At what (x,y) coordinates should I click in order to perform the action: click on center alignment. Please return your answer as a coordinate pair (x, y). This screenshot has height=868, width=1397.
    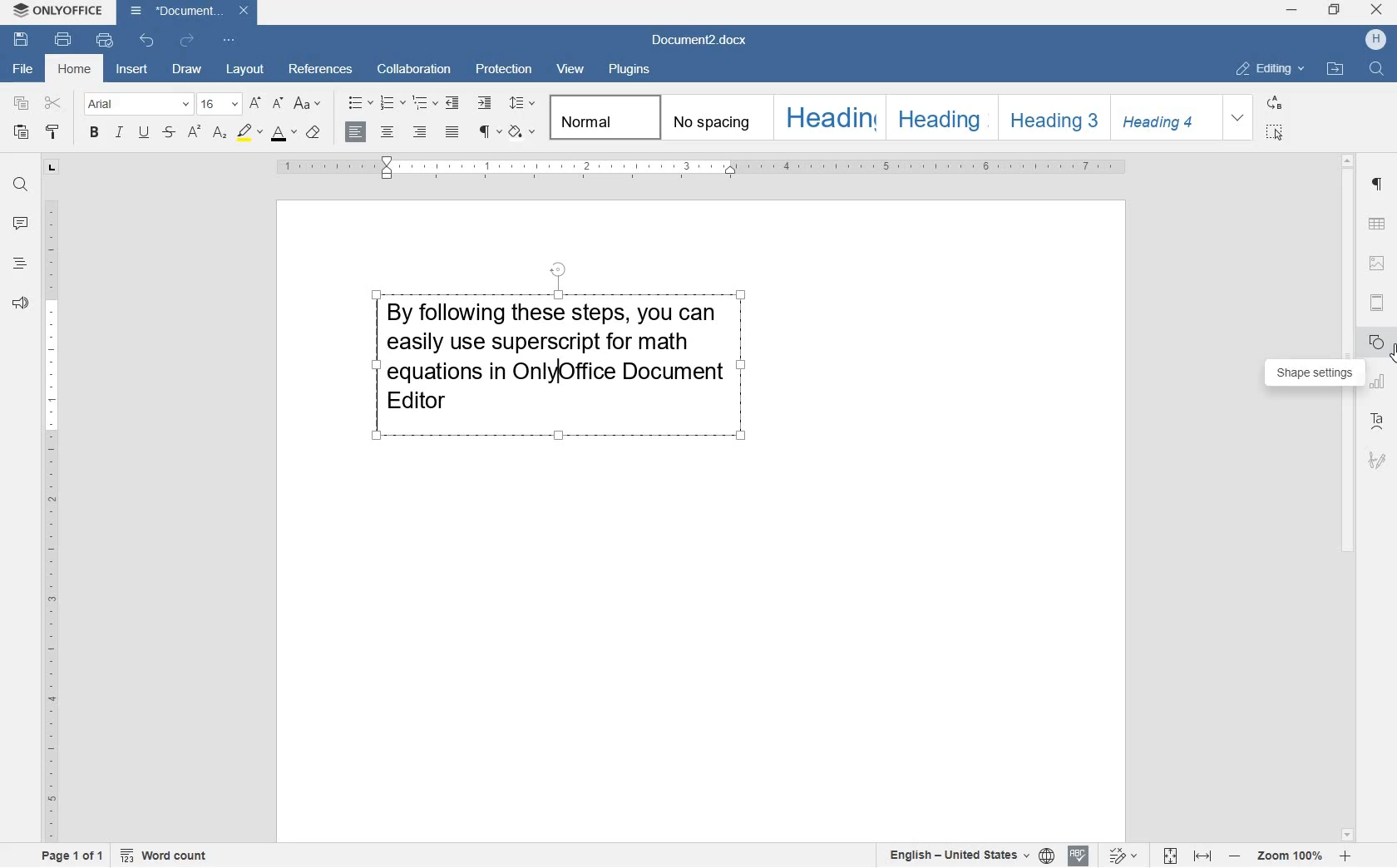
    Looking at the image, I should click on (388, 133).